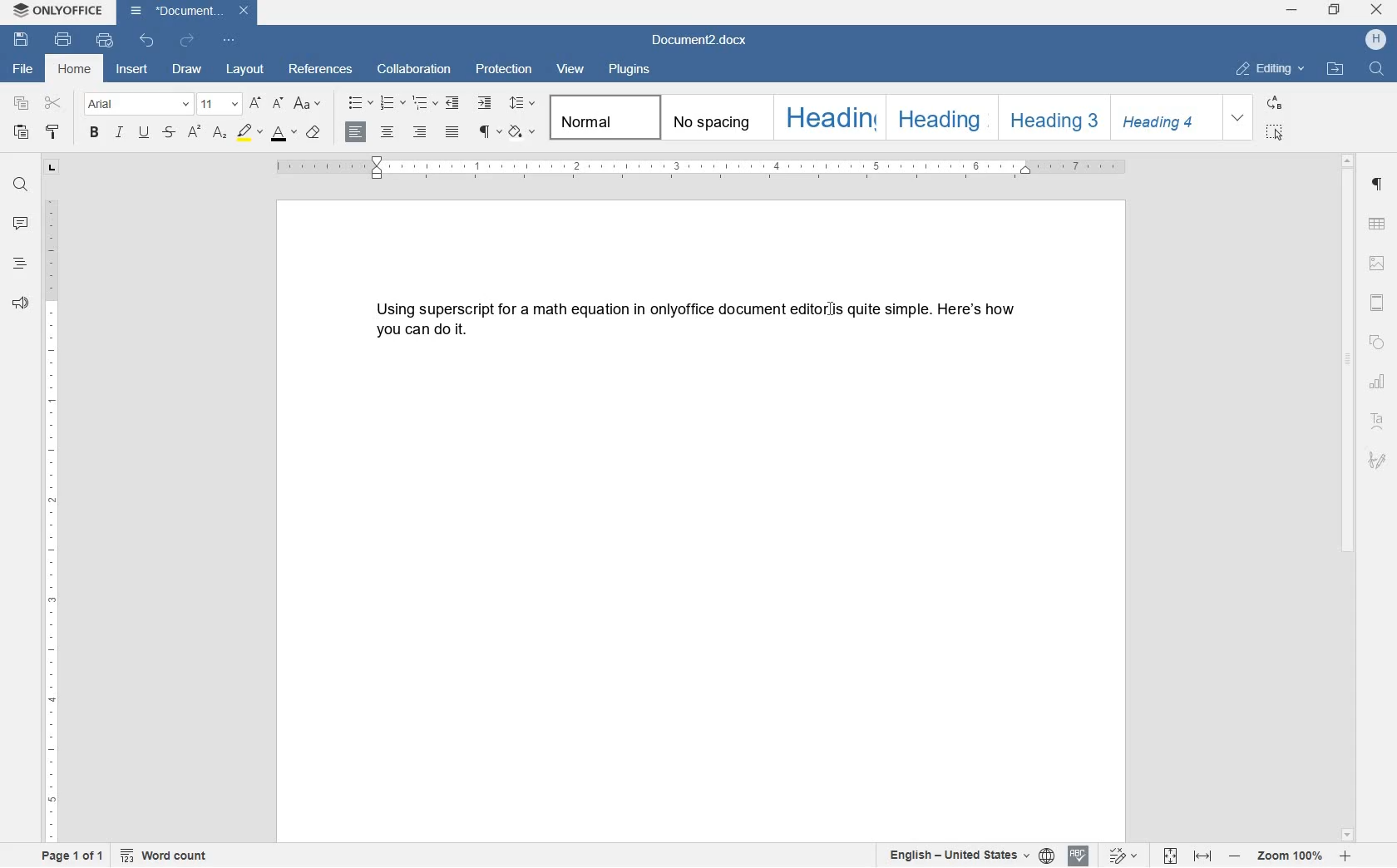  I want to click on font size, so click(219, 103).